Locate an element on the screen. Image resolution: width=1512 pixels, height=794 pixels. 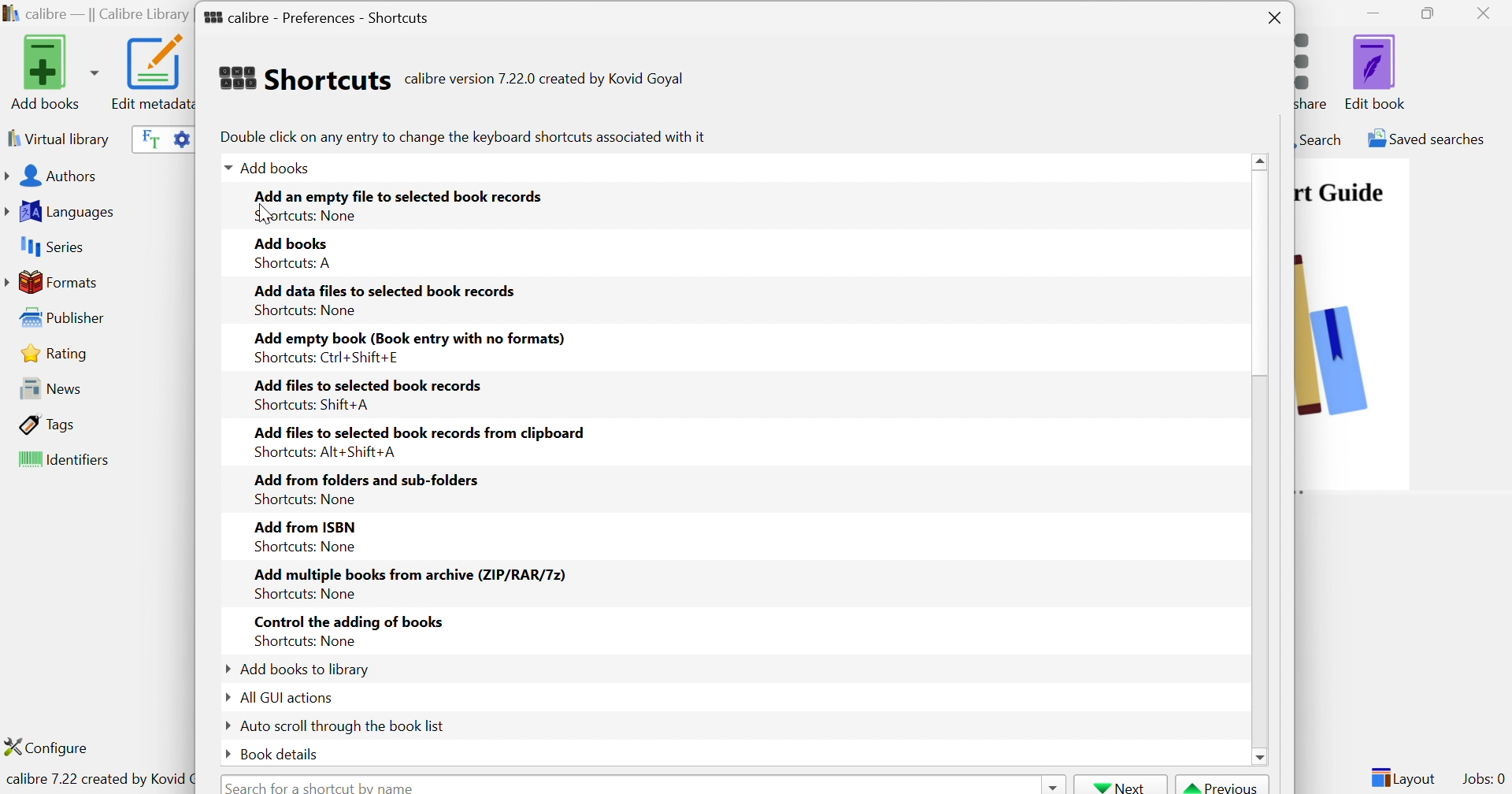
Quick Start Guide is located at coordinates (1340, 192).